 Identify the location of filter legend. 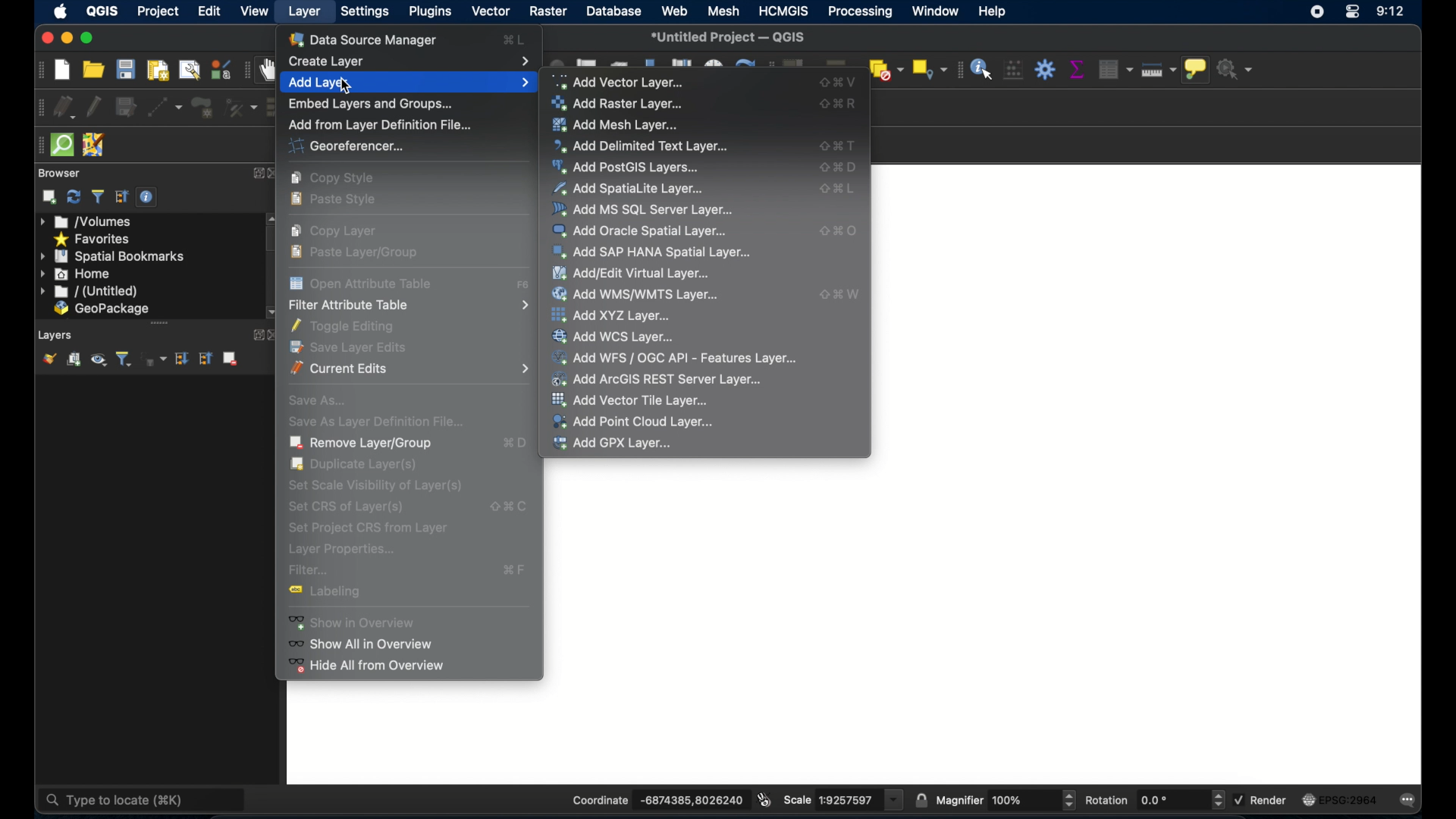
(126, 359).